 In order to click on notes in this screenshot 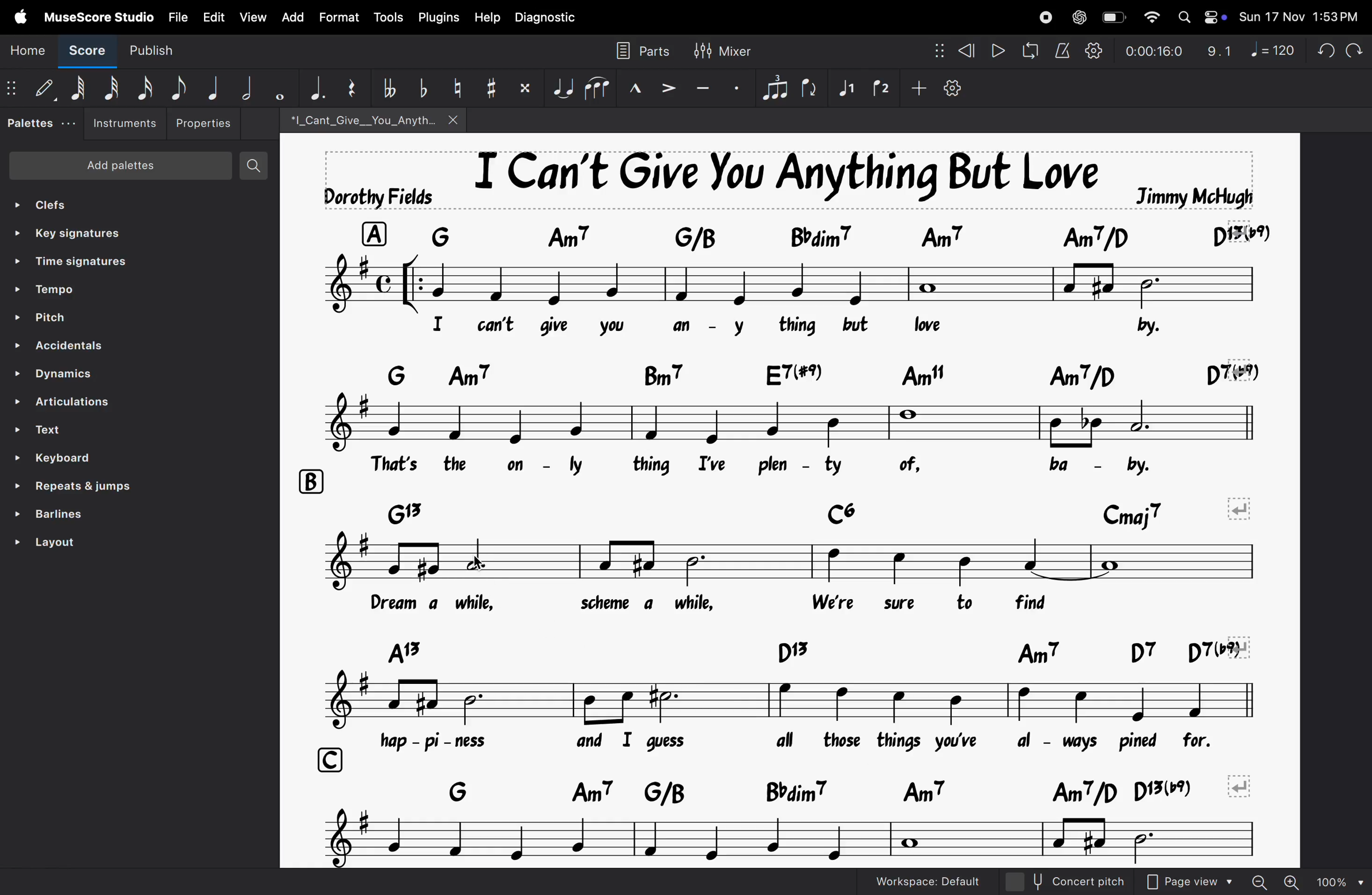, I will do `click(784, 420)`.